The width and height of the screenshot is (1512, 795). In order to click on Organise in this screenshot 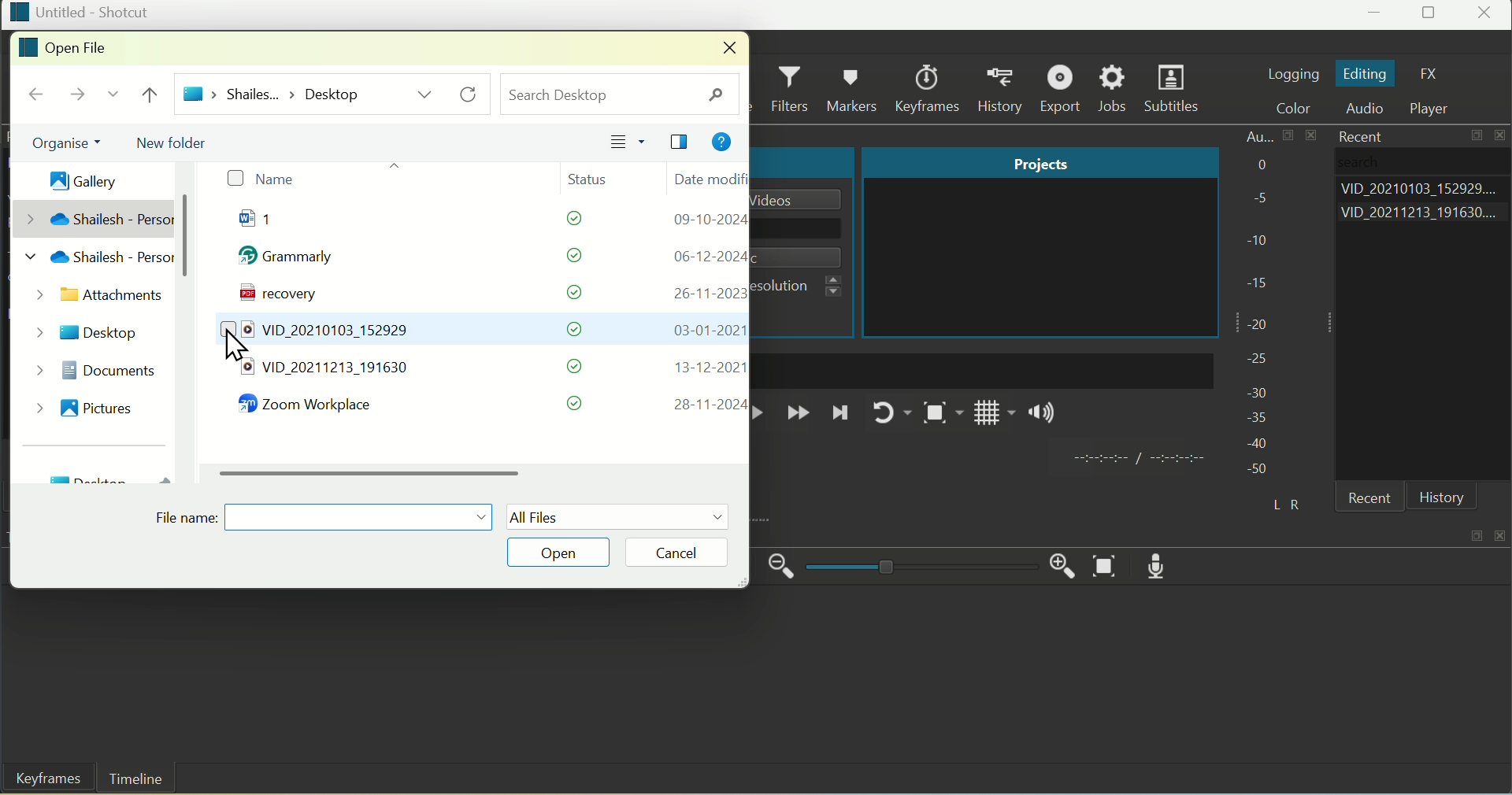, I will do `click(59, 143)`.